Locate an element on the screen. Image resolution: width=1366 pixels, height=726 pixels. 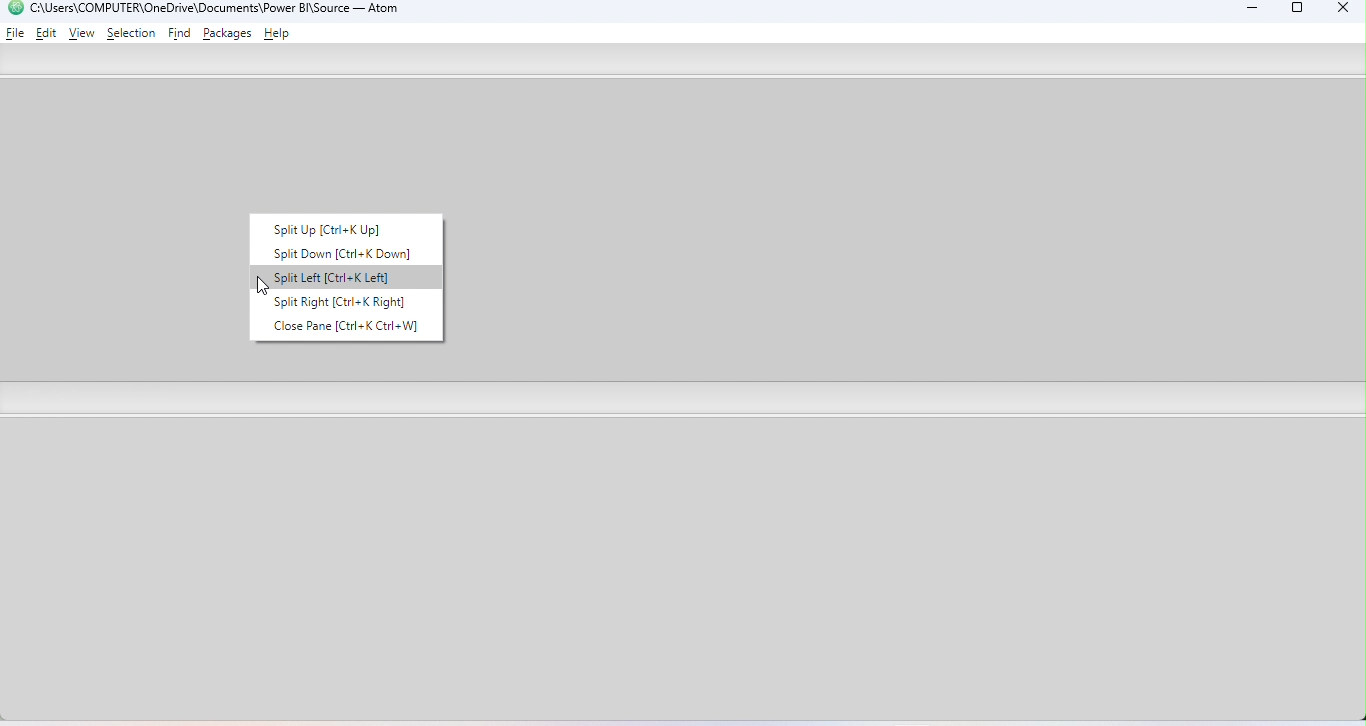
Split up is located at coordinates (343, 226).